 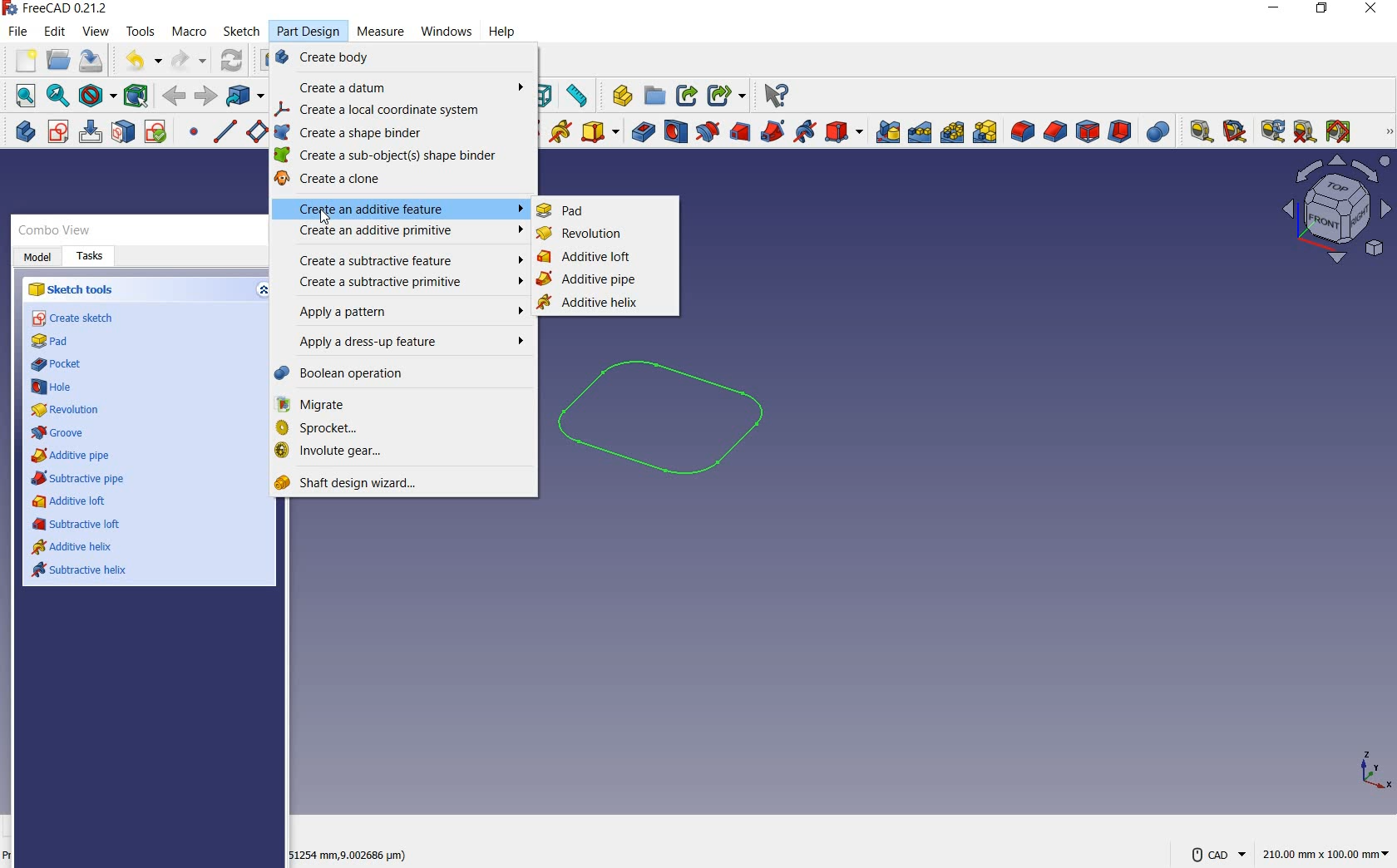 I want to click on Measure, so click(x=379, y=29).